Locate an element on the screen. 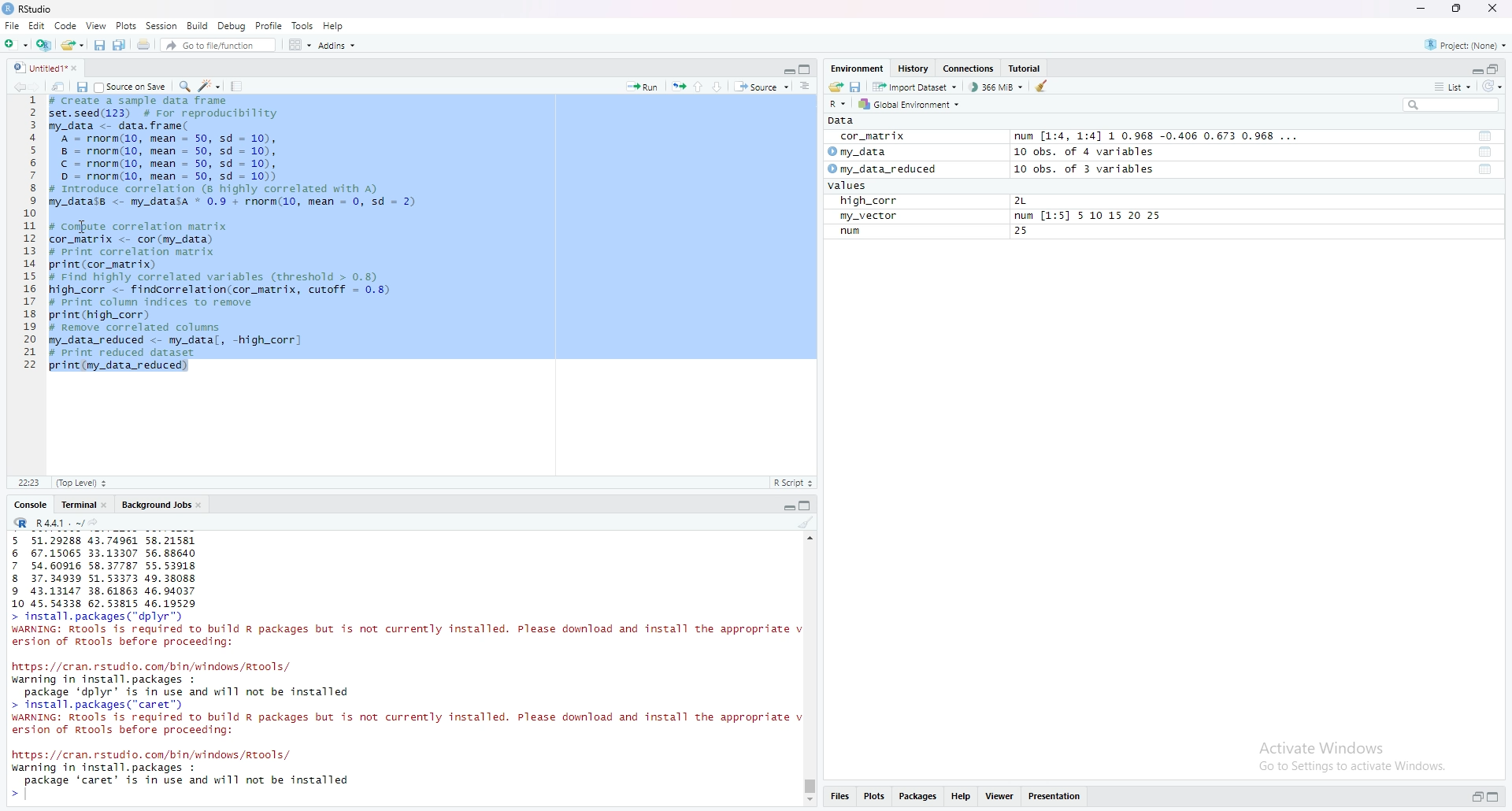 Image resolution: width=1512 pixels, height=811 pixels. https: //cran. rstudio. com/bin/windows /Rtools/
warning in install. packages :
package ‘dplyr’ is in use and will not be installed
> install. packages (“caret”)
WARNING: RTools is required to build R packages but is not currently installed. Please download and install the appropriate v
ersion of Rtools before proceeding: is located at coordinates (405, 701).